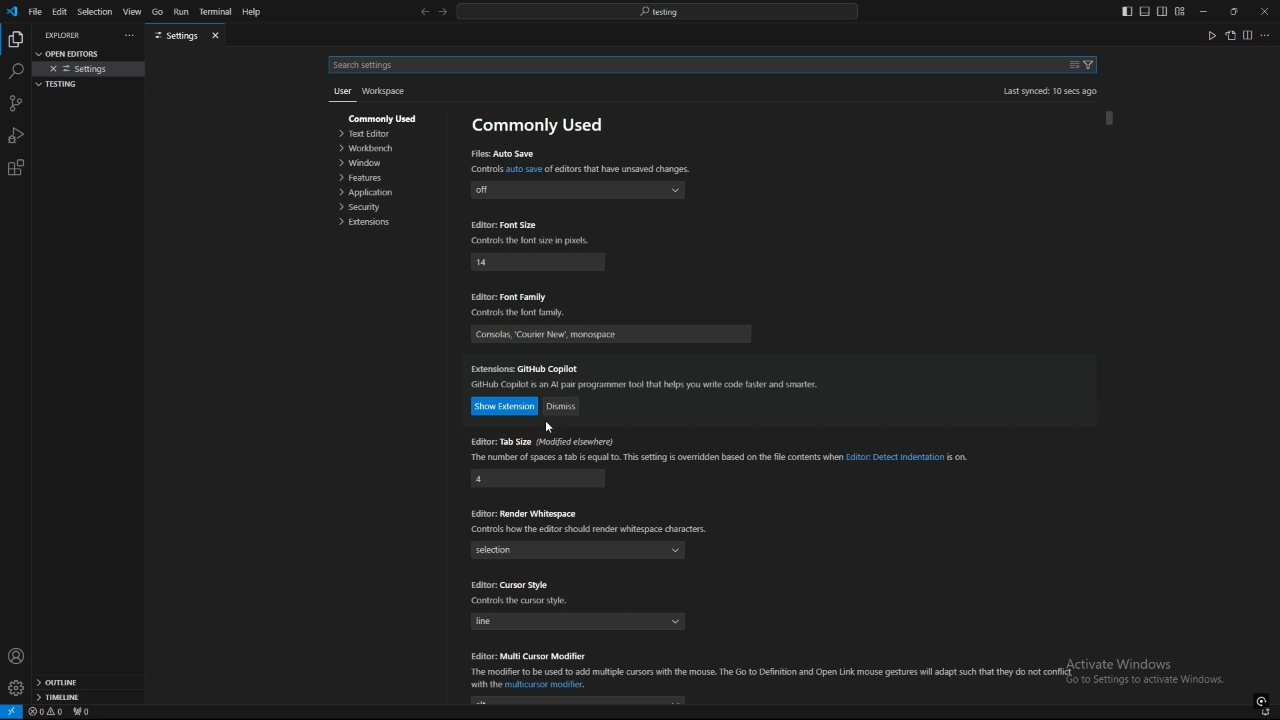 The width and height of the screenshot is (1280, 720). What do you see at coordinates (580, 551) in the screenshot?
I see `selection` at bounding box center [580, 551].